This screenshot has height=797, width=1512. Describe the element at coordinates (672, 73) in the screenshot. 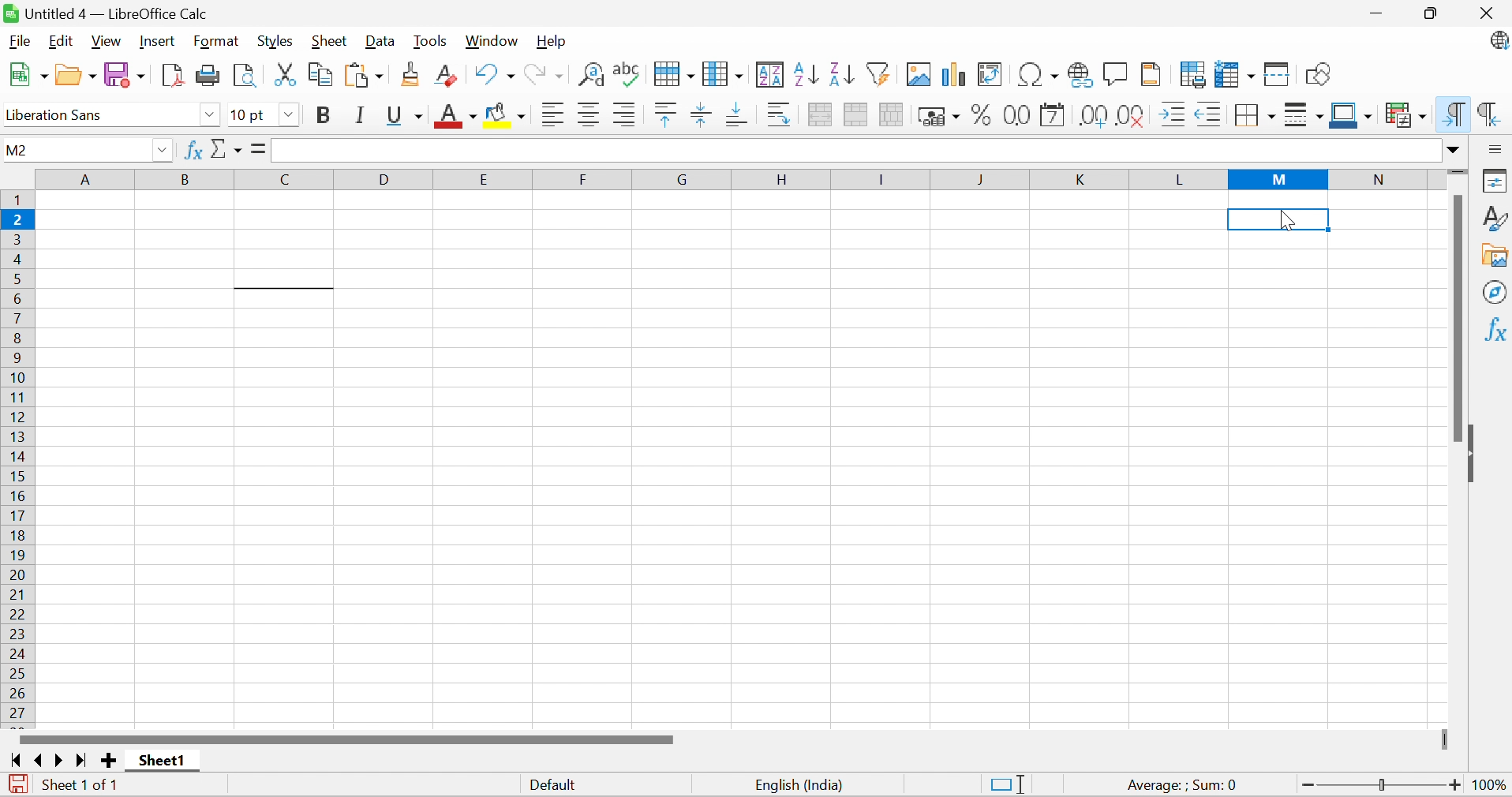

I see `Row` at that location.